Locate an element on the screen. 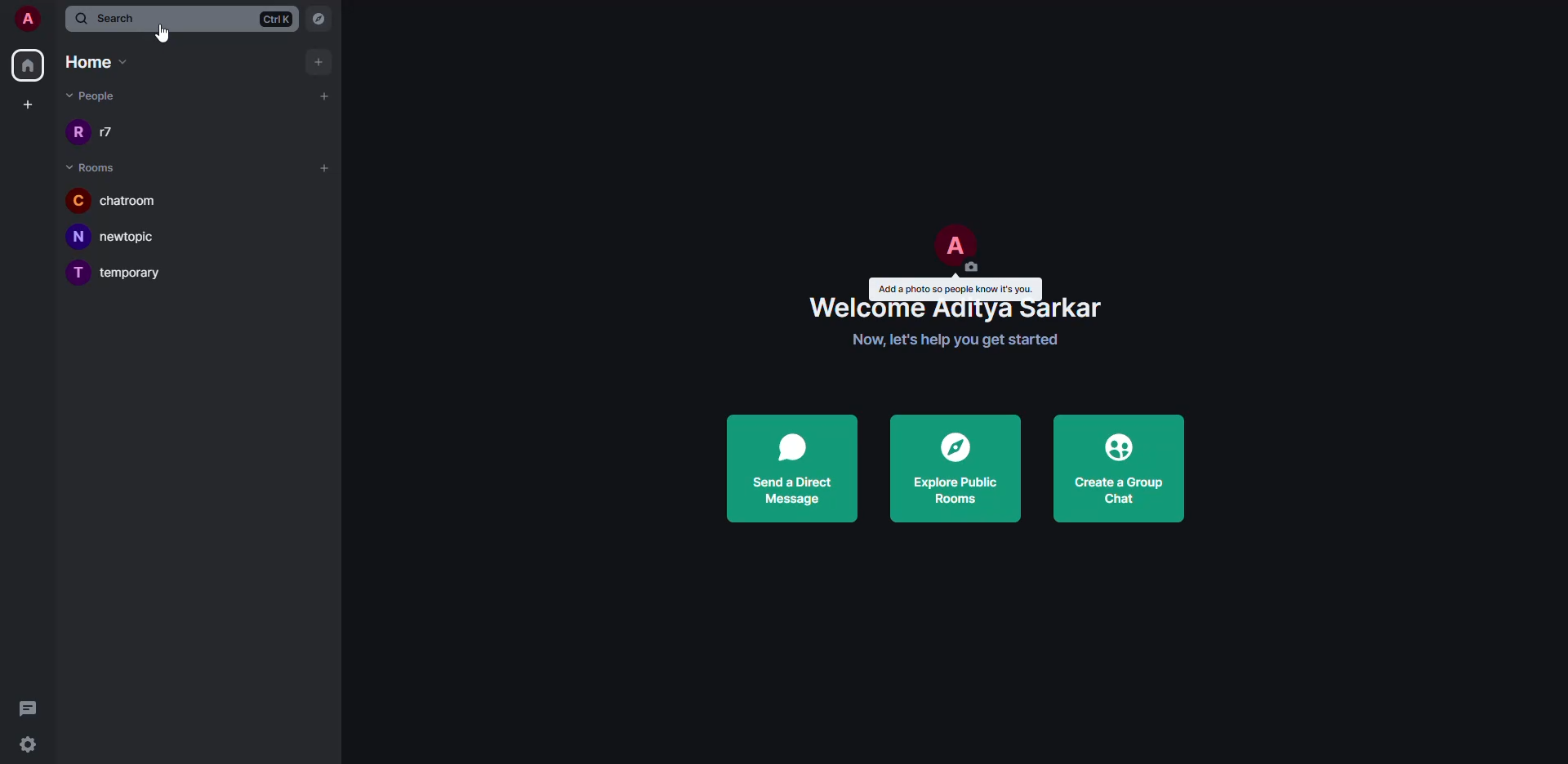 The height and width of the screenshot is (764, 1568). settings is located at coordinates (30, 746).